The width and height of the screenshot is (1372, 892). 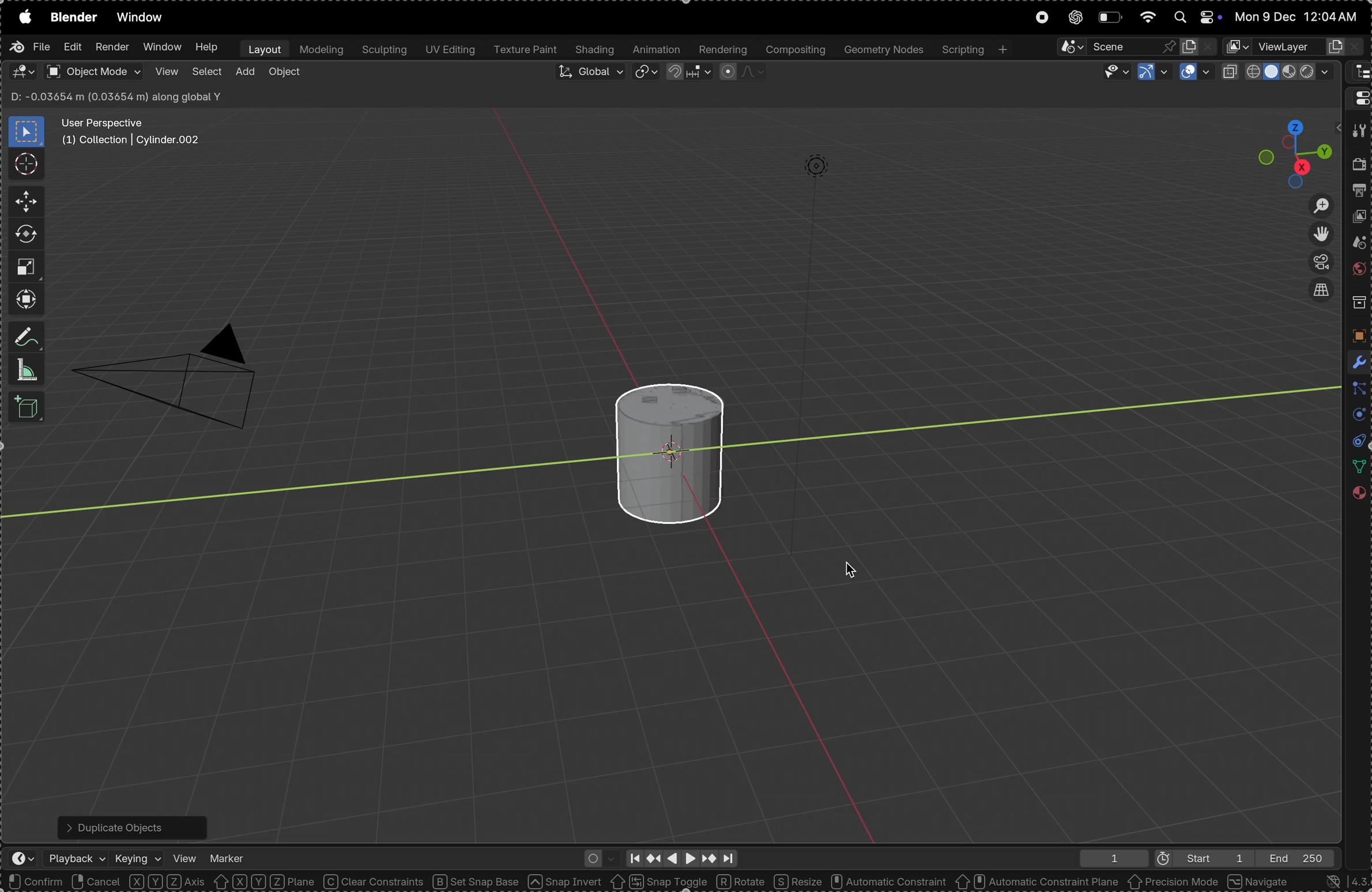 What do you see at coordinates (1296, 149) in the screenshot?
I see `view point` at bounding box center [1296, 149].